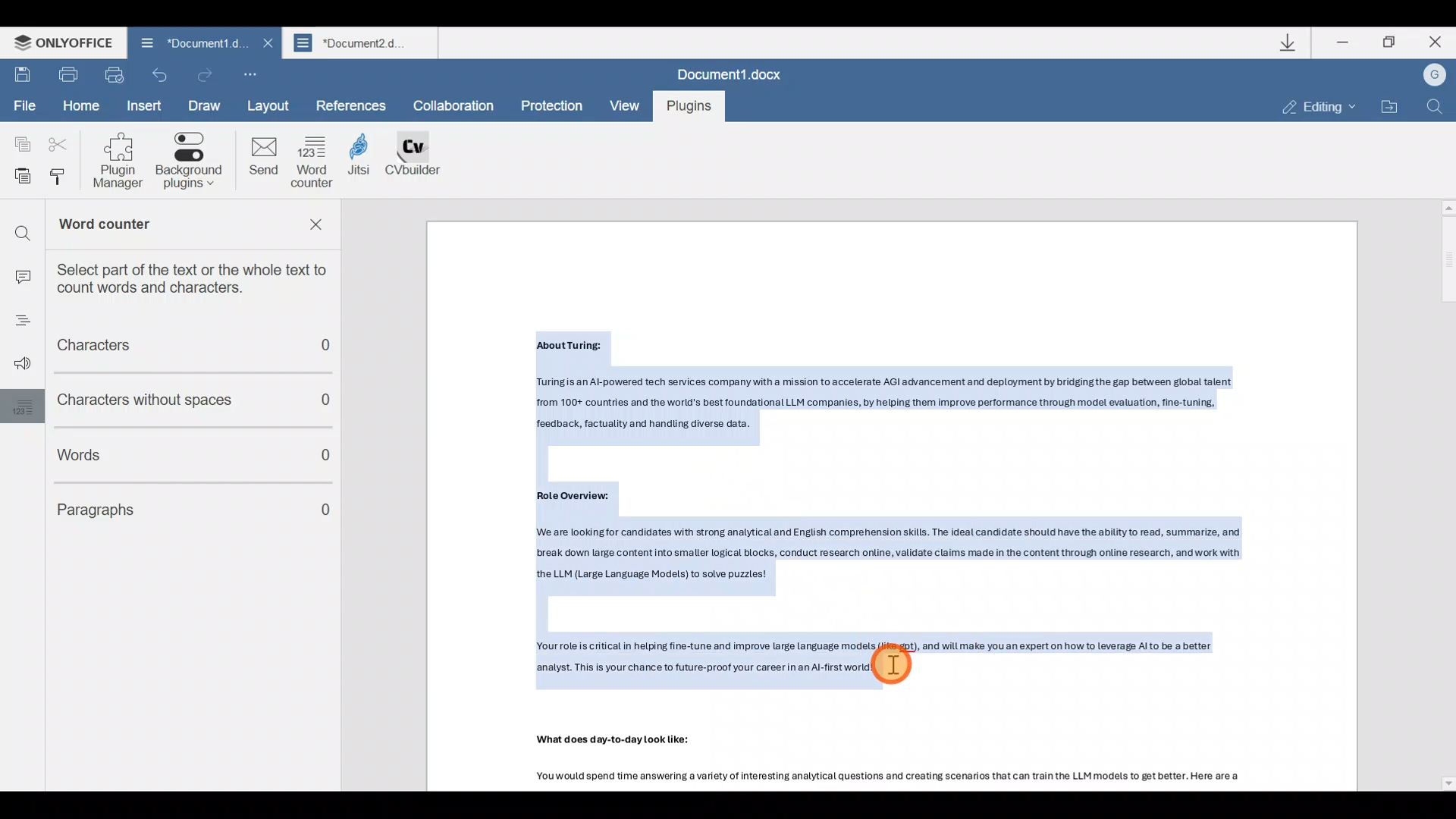 The image size is (1456, 819). What do you see at coordinates (905, 541) in the screenshot?
I see `Role Overview:

‘We are looking for candidates with strong analytical and English comprehension skills. The ideal candidate should have the ability to read, summarize, and
pra am oe sar gent otc ms iis lc te Ban 1g ear, ert
ne Lrg Longuage ios o steps]` at bounding box center [905, 541].